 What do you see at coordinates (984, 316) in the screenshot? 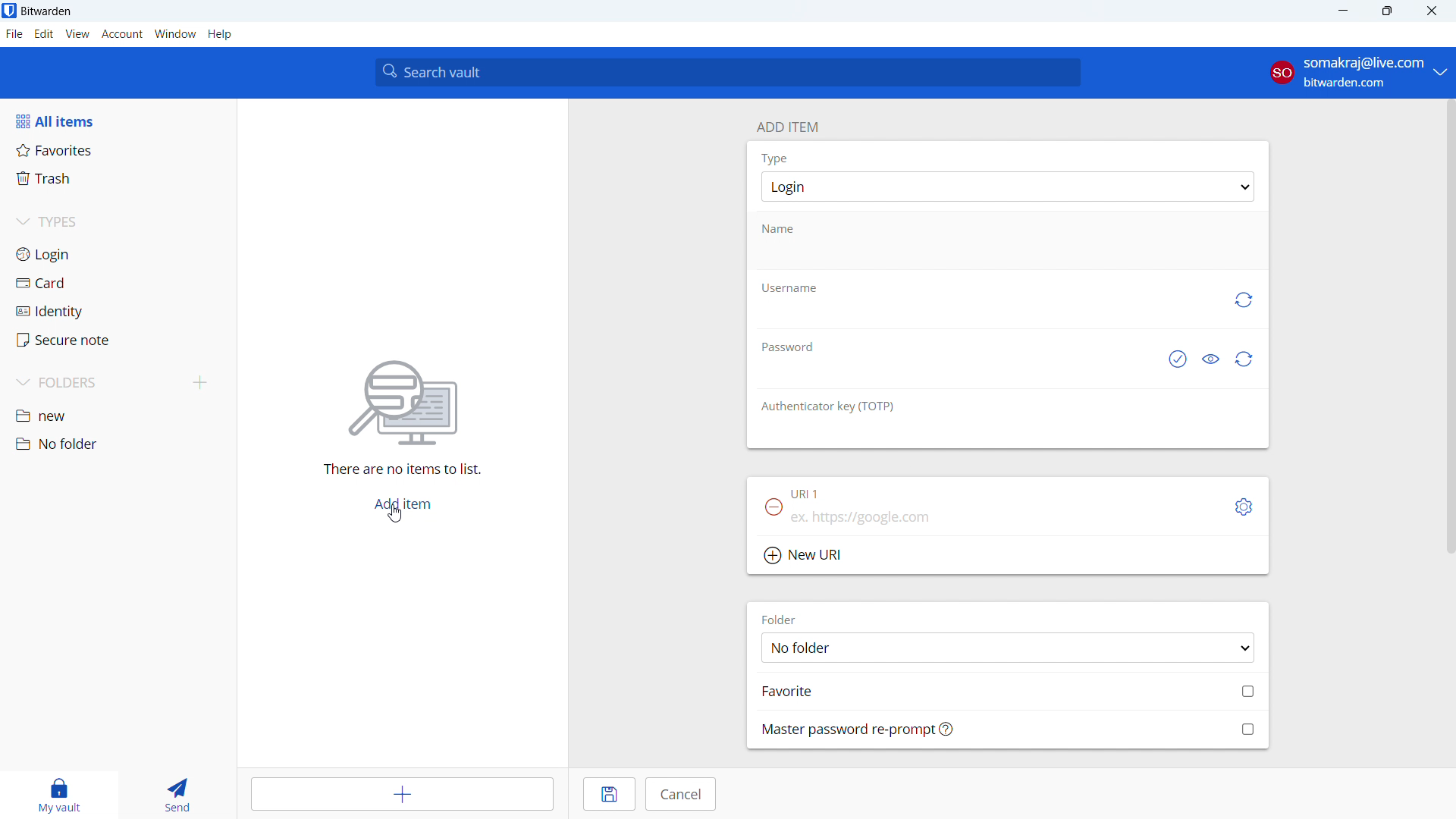
I see `add username` at bounding box center [984, 316].